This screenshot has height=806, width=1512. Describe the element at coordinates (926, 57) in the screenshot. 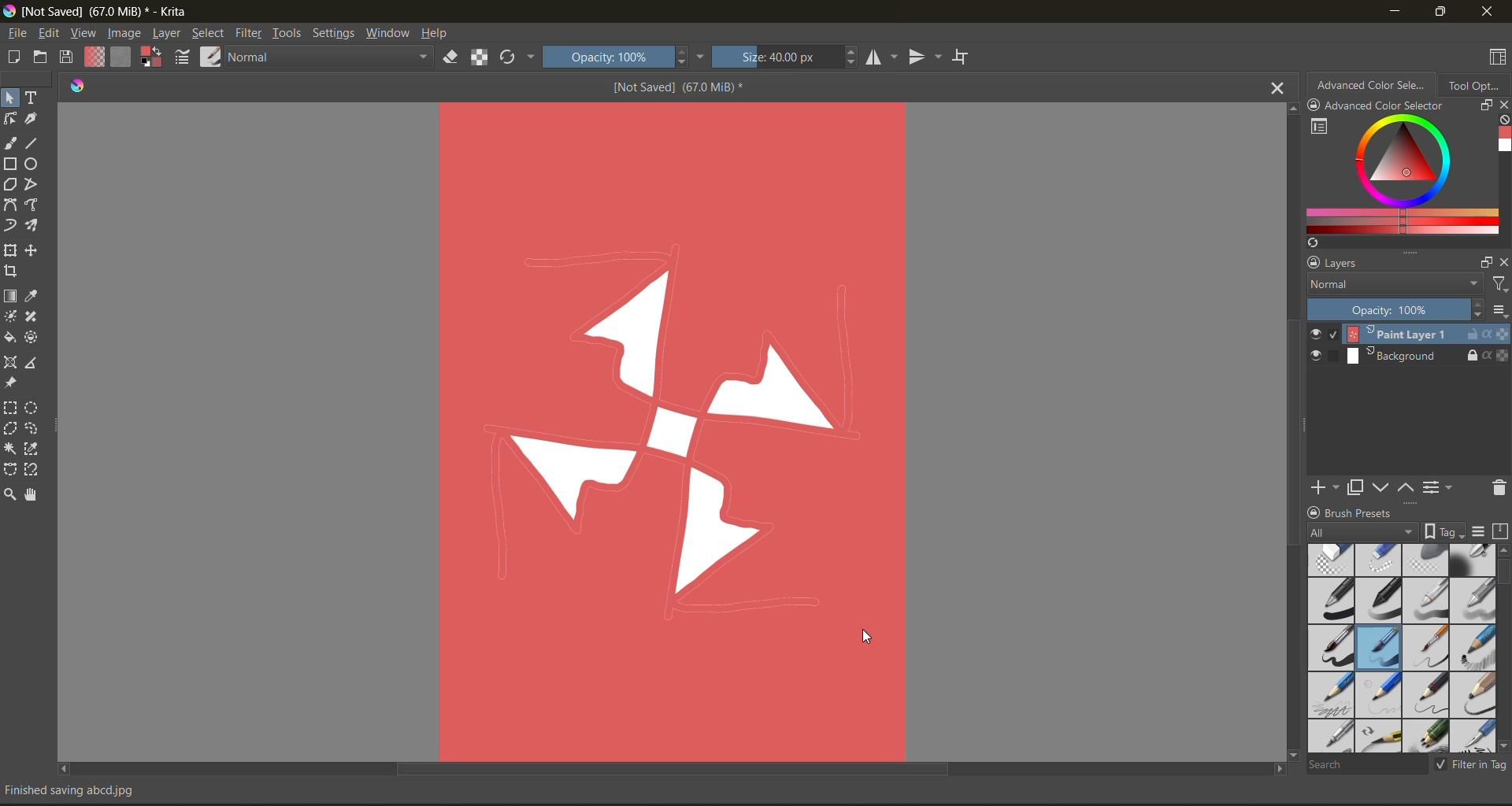

I see `vertical mirror tool` at that location.